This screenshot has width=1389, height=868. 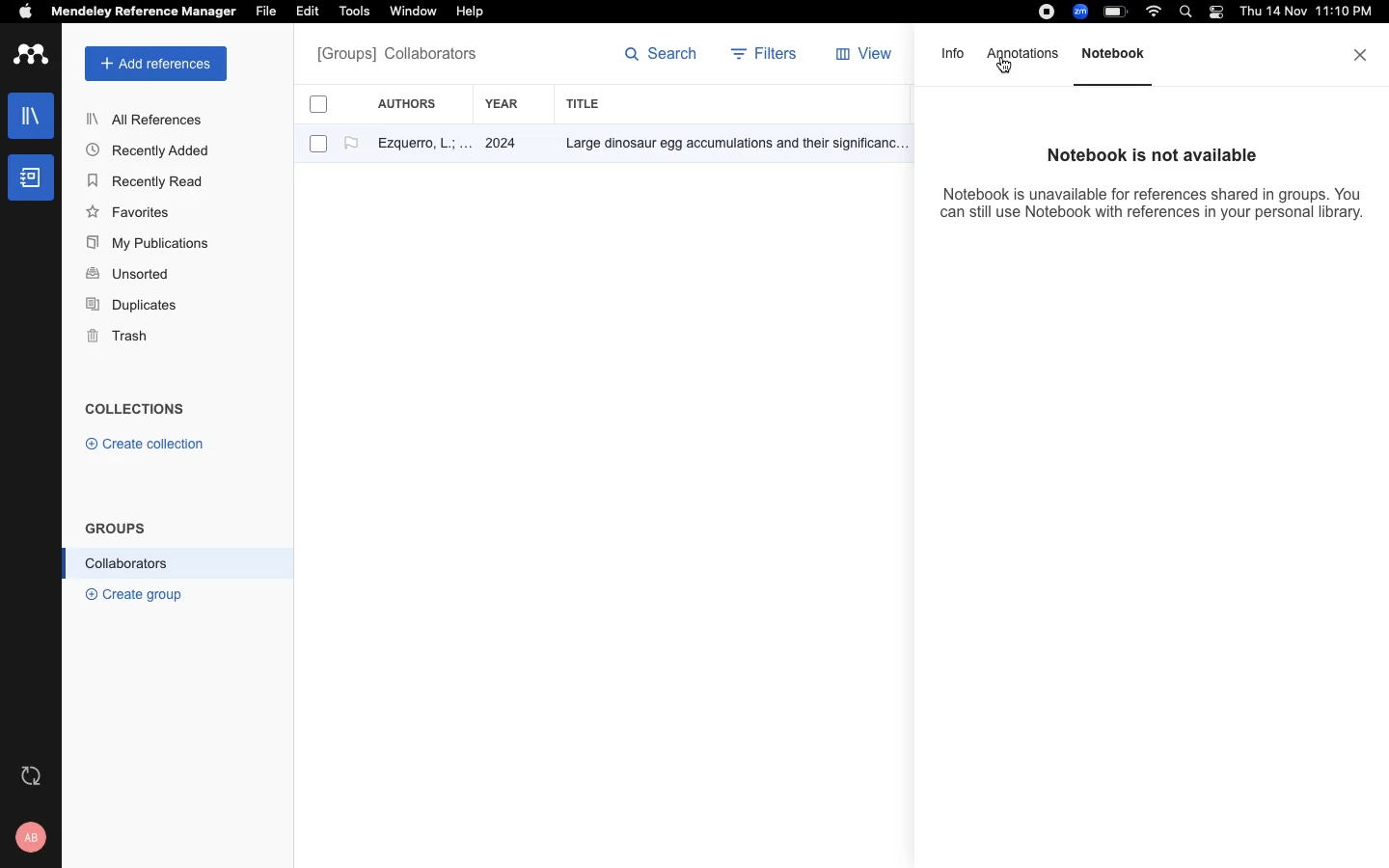 I want to click on Duplicates, so click(x=133, y=306).